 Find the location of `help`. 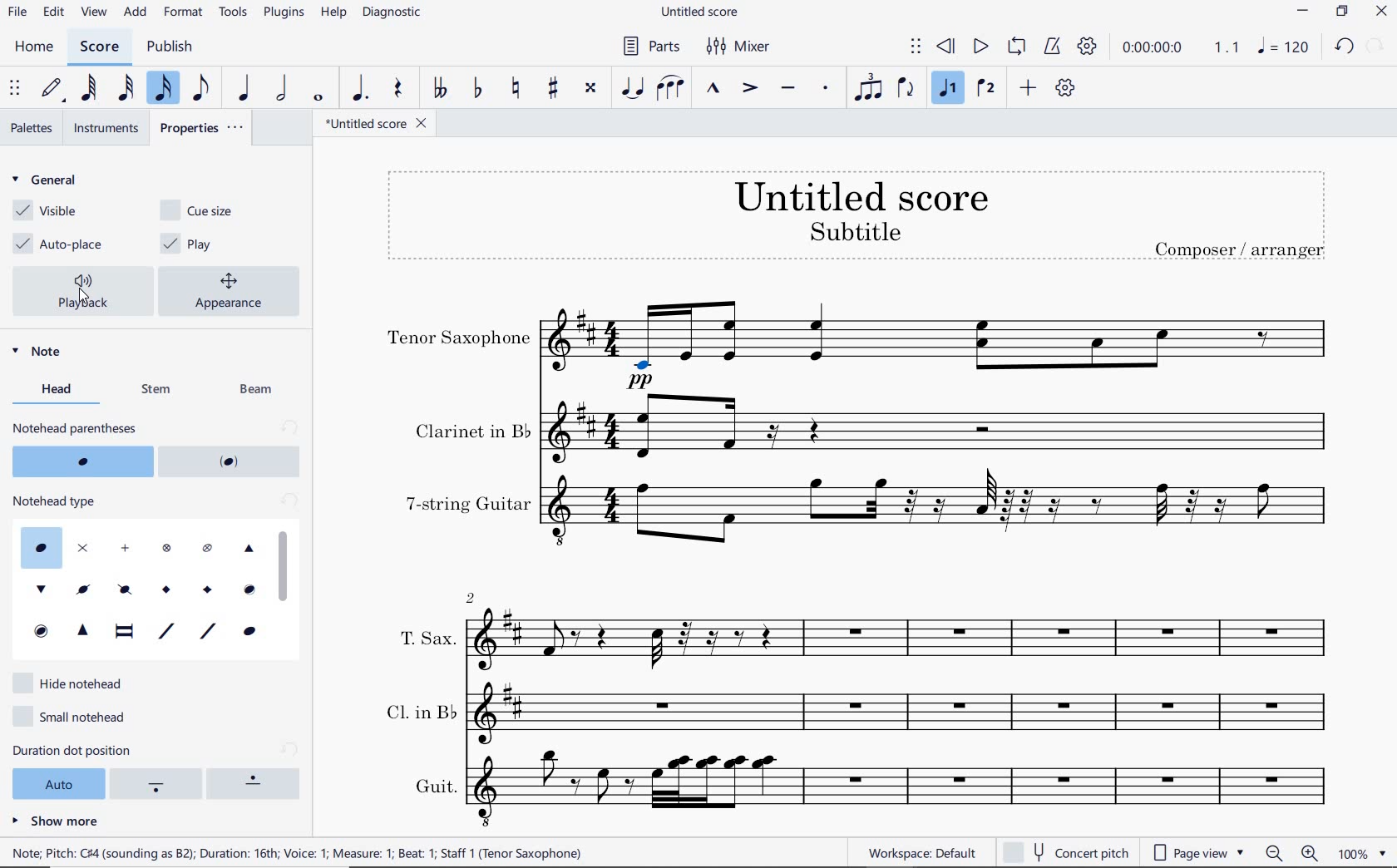

help is located at coordinates (332, 14).